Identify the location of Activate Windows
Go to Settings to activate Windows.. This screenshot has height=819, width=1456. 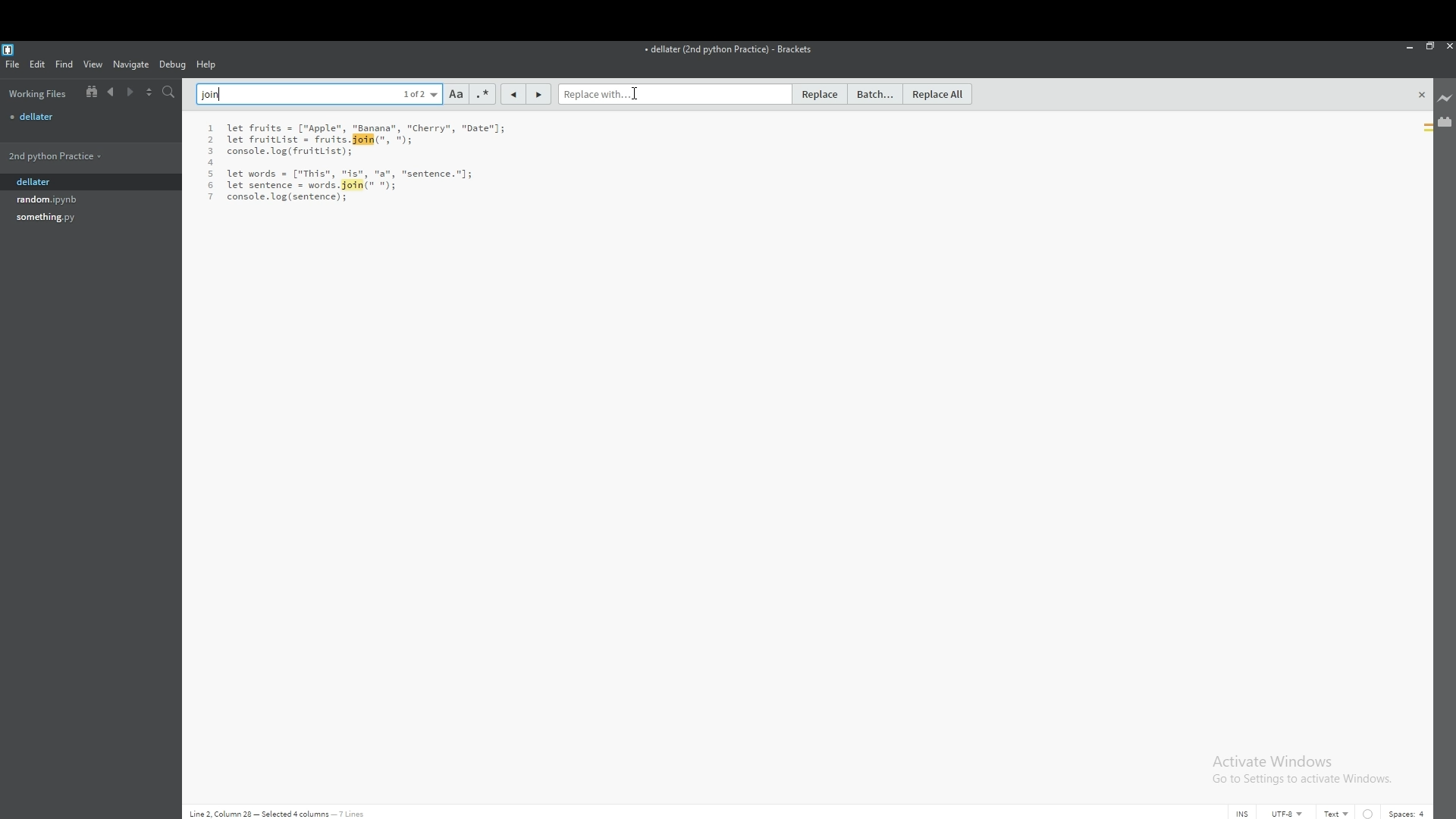
(1304, 770).